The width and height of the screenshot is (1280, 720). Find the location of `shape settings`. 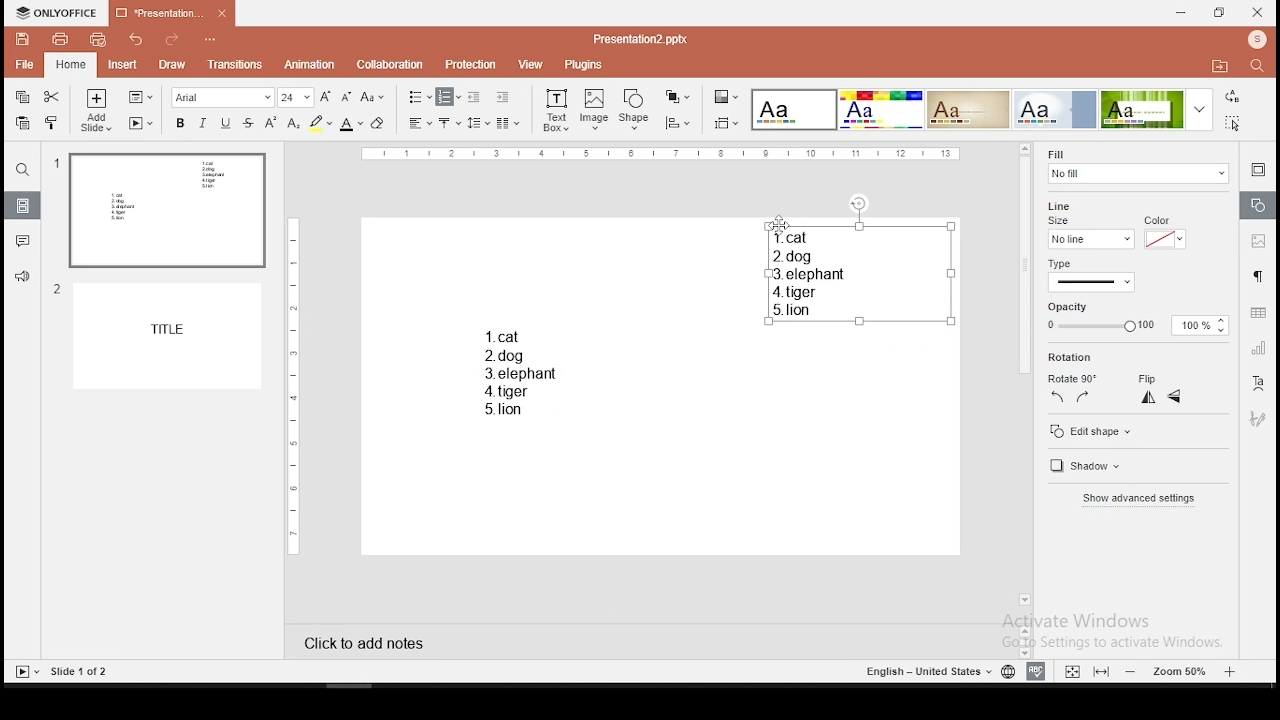

shape settings is located at coordinates (1256, 204).